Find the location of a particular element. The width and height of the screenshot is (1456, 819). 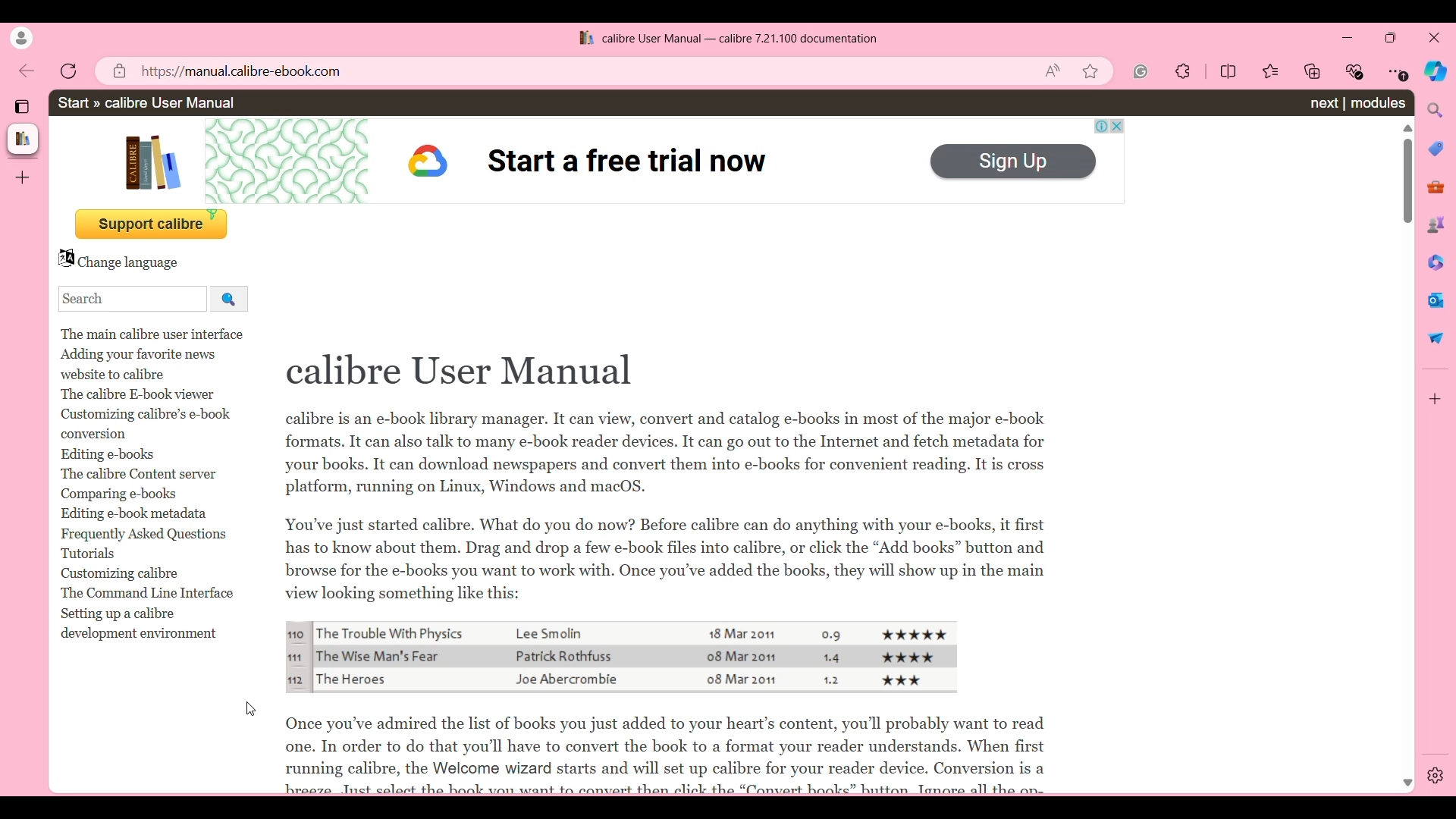

Extensions is located at coordinates (1184, 71).